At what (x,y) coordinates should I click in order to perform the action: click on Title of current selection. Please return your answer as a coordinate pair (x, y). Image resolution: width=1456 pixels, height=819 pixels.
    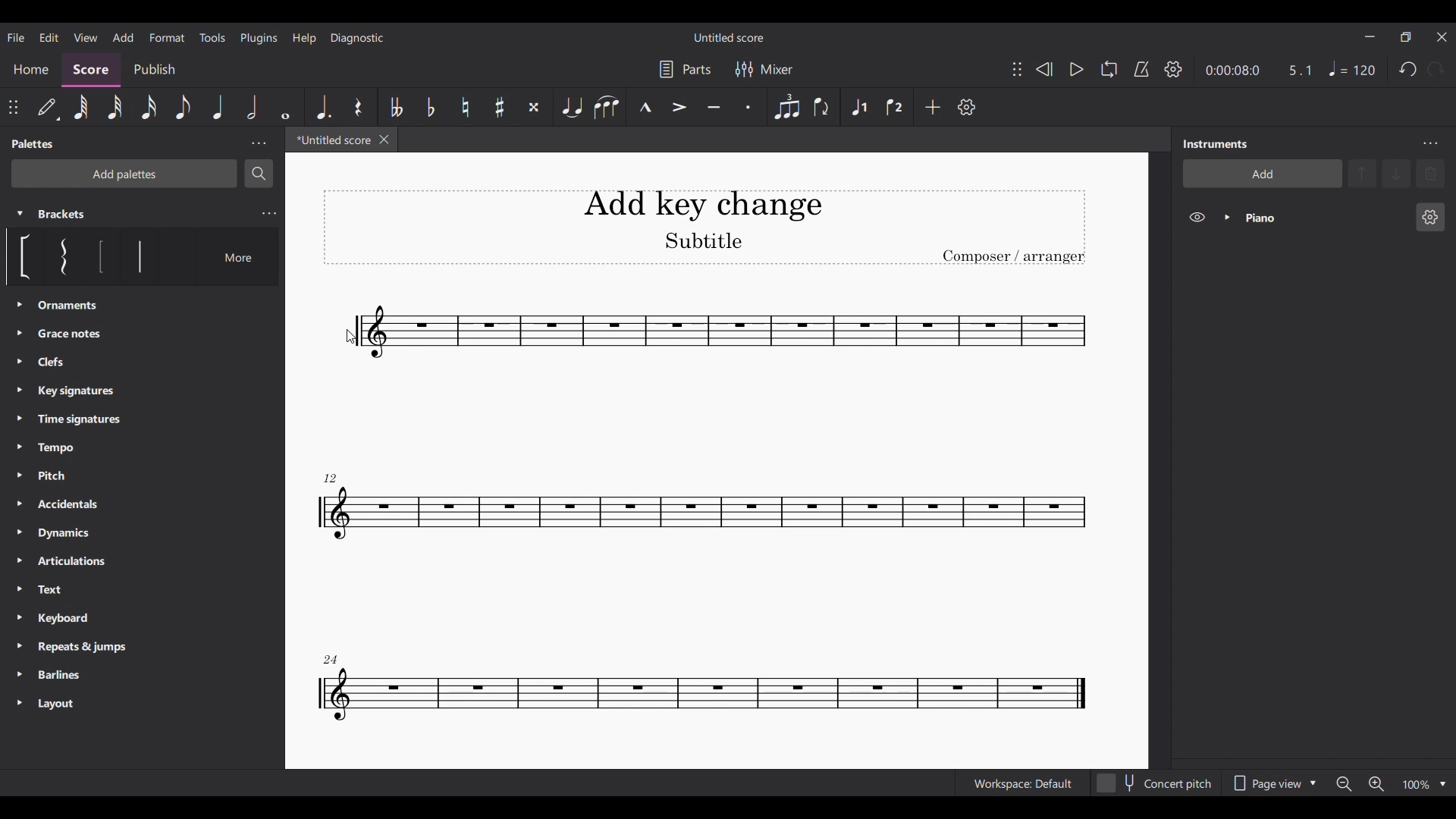
    Looking at the image, I should click on (62, 214).